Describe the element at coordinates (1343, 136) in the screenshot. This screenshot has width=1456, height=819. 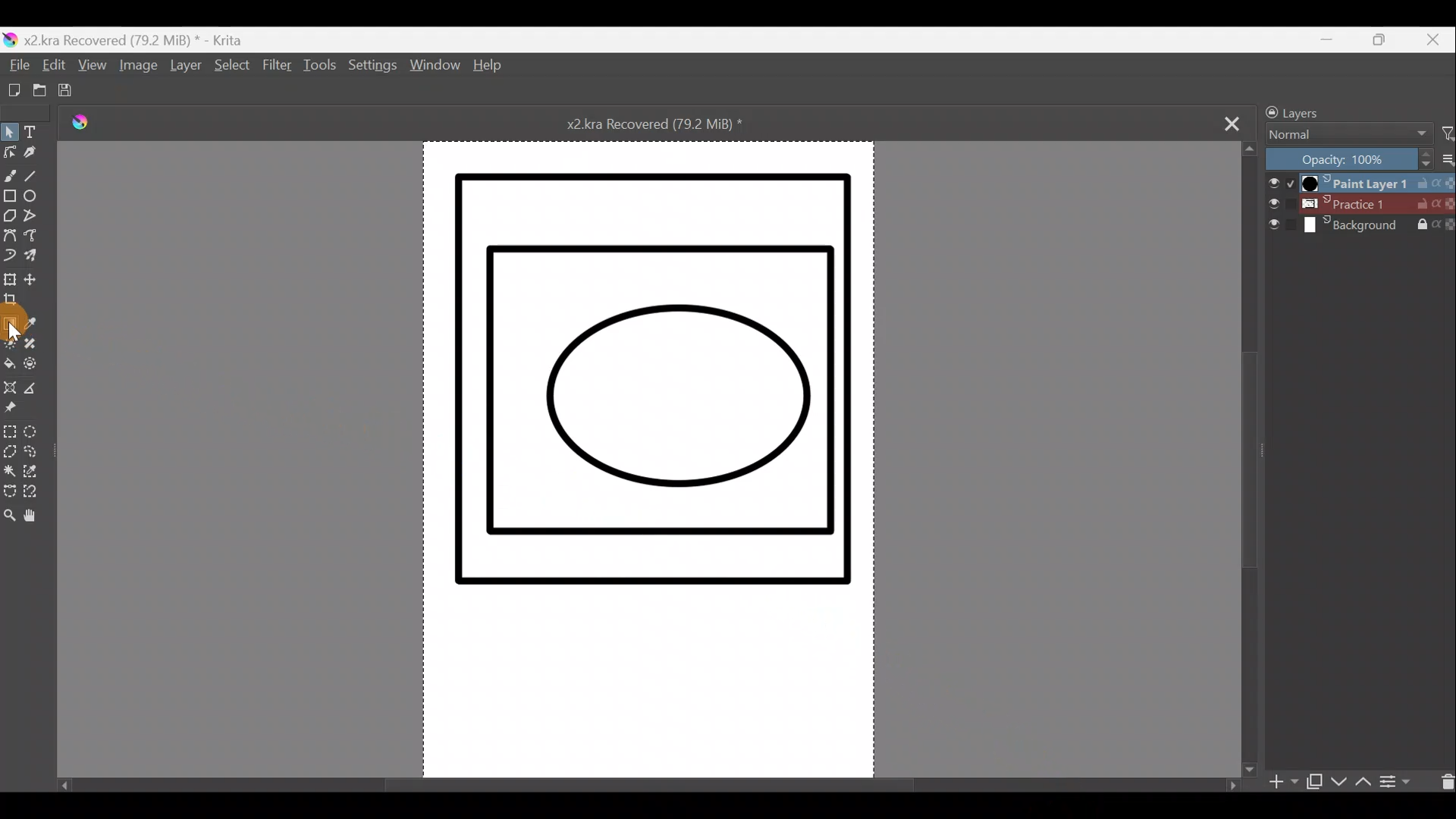
I see `Blending mode` at that location.